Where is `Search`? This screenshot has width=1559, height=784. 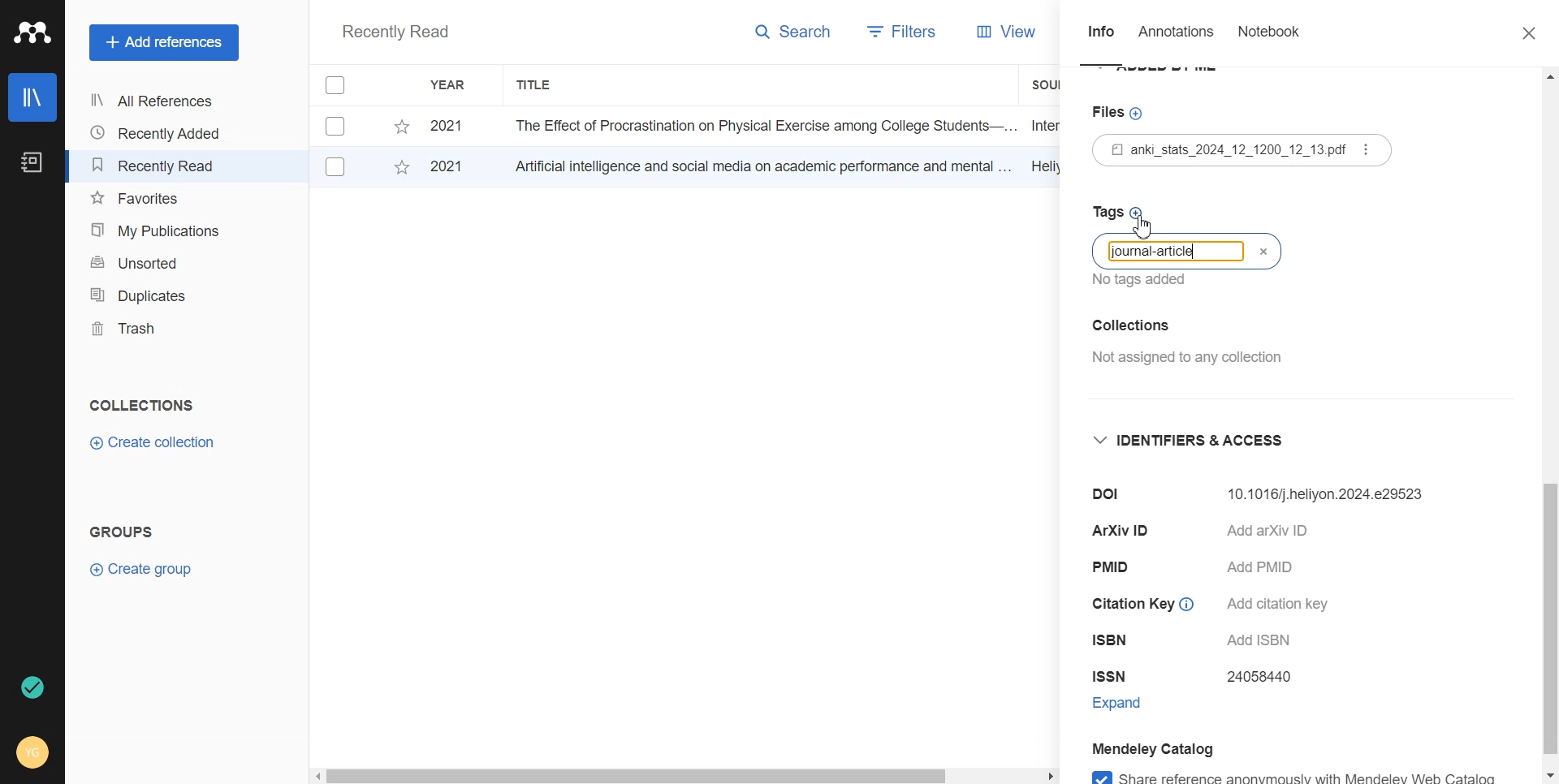 Search is located at coordinates (794, 35).